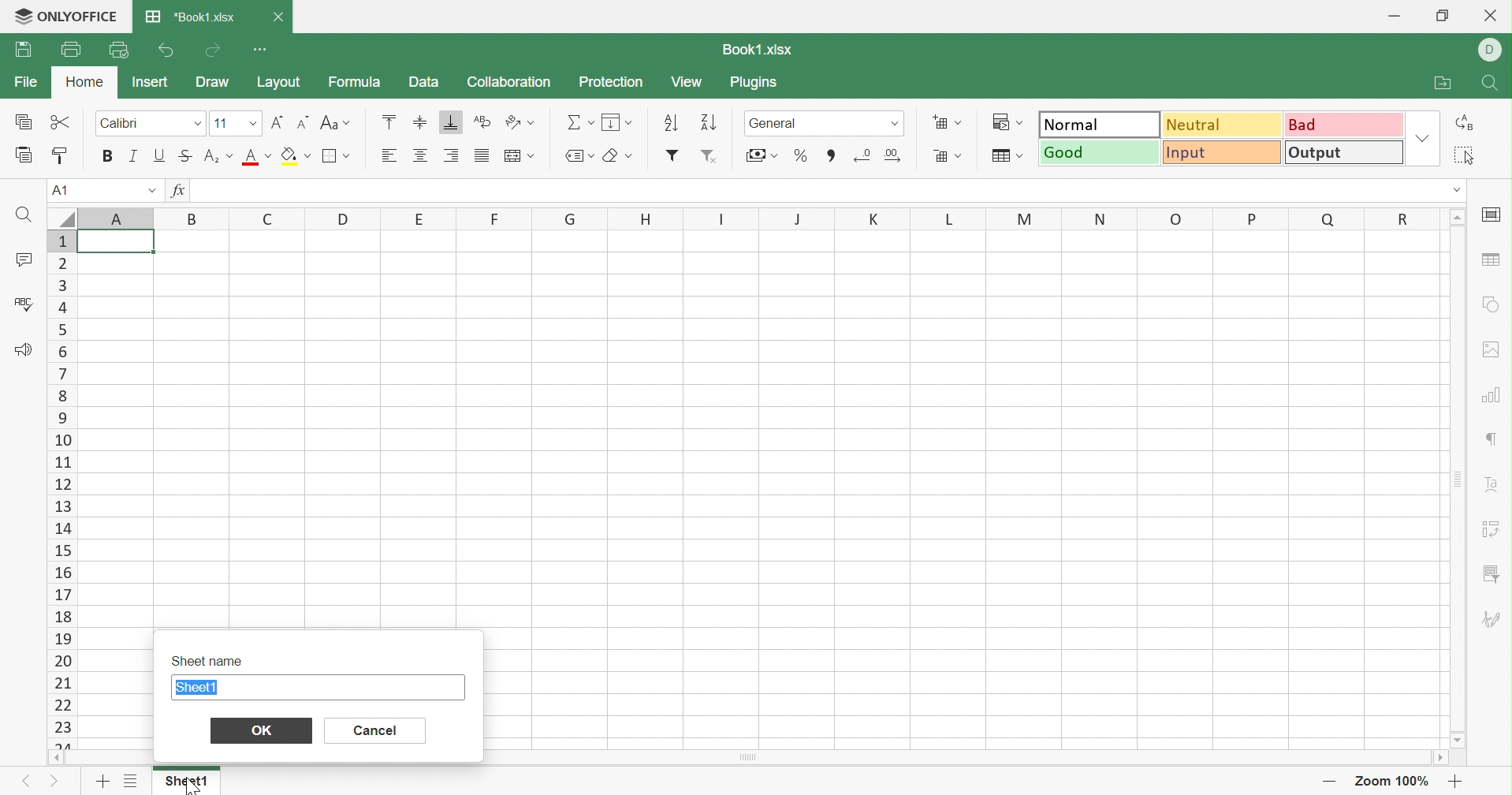 Image resolution: width=1512 pixels, height=795 pixels. I want to click on Scroll right, so click(1442, 759).